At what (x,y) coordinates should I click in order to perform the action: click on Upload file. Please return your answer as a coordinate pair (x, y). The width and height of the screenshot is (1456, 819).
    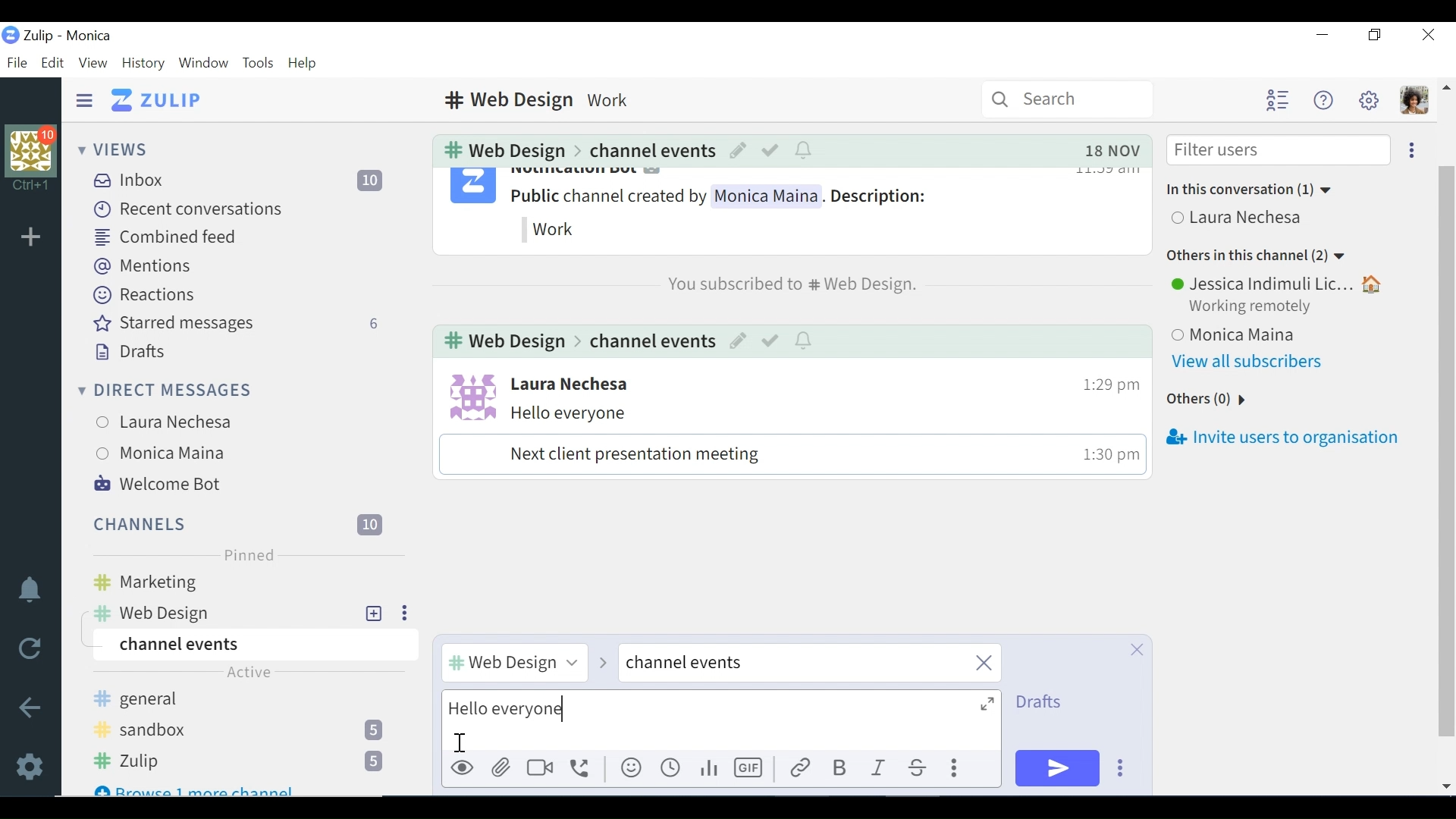
    Looking at the image, I should click on (503, 767).